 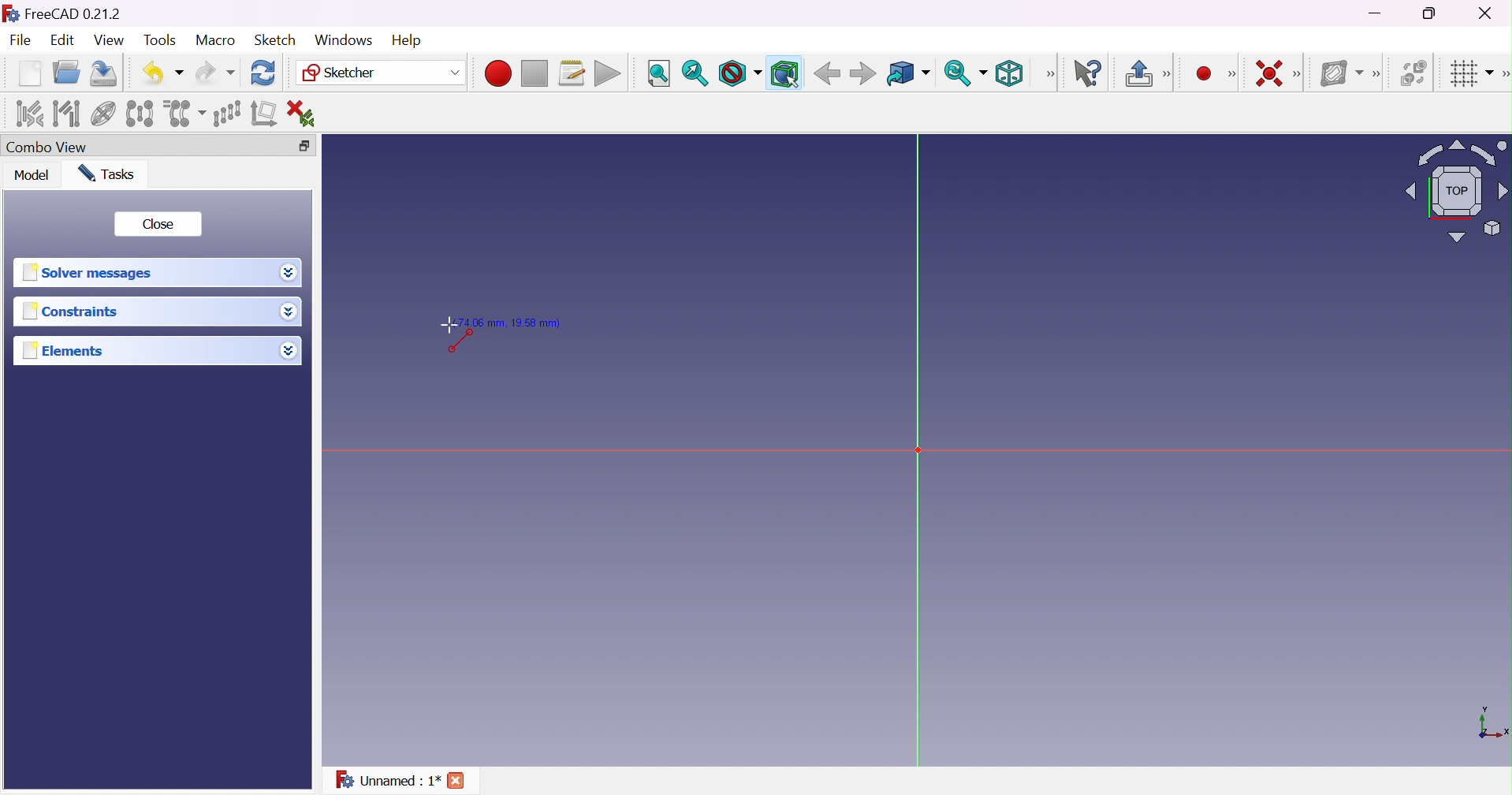 What do you see at coordinates (289, 273) in the screenshot?
I see `Drop down` at bounding box center [289, 273].